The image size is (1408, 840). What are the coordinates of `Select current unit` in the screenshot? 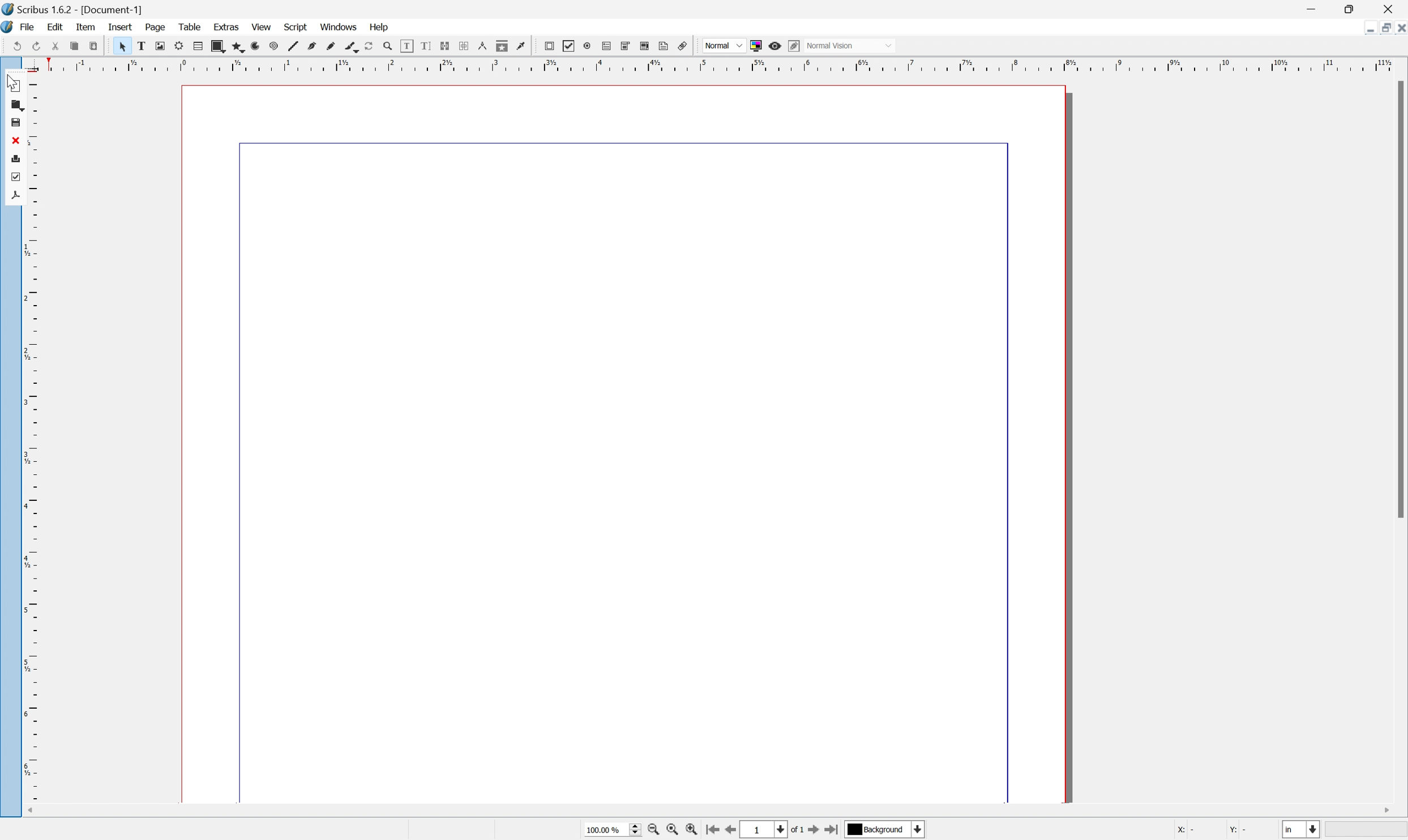 It's located at (1300, 829).